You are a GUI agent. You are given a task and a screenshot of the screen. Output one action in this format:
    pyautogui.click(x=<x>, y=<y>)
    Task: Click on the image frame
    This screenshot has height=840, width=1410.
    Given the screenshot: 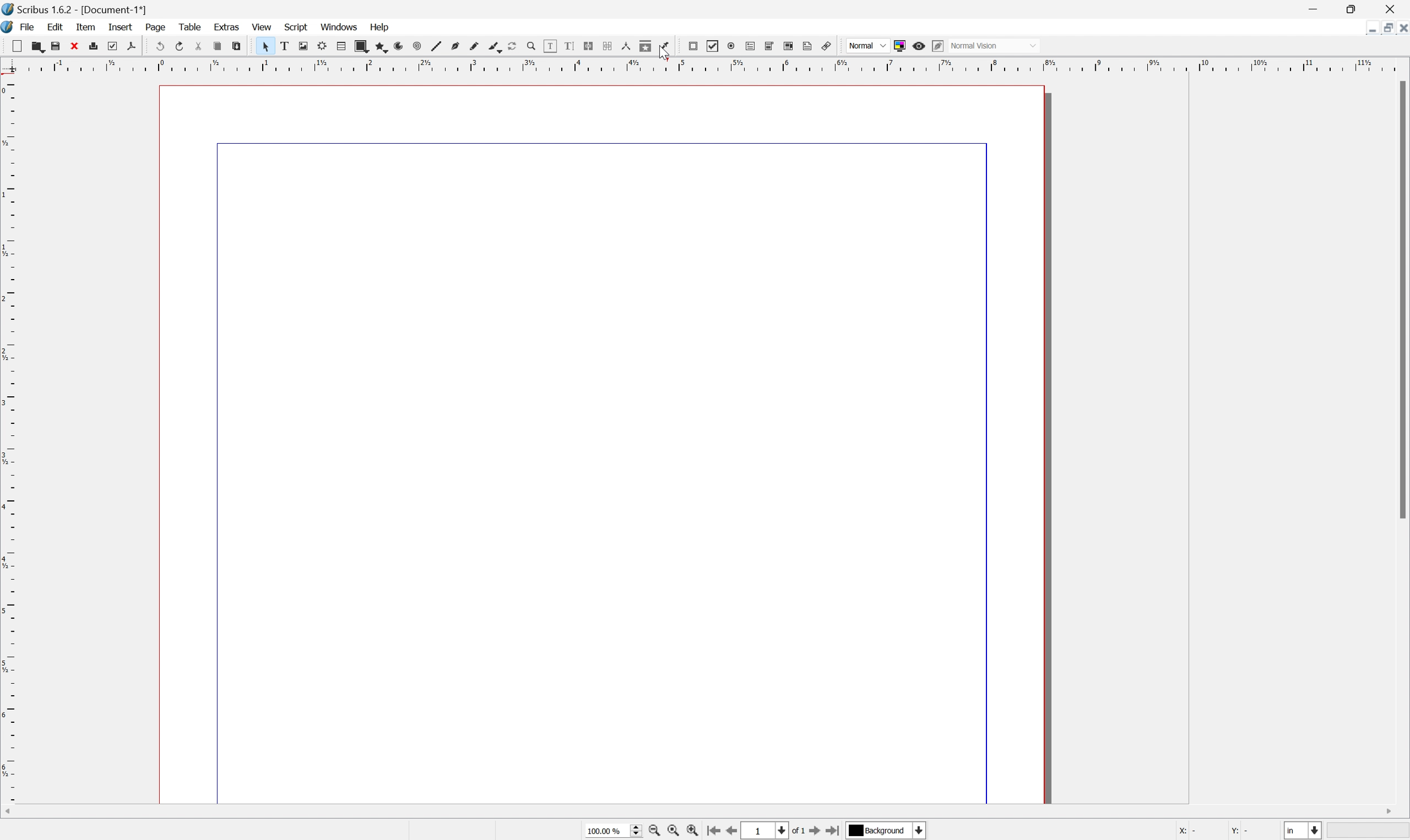 What is the action you would take?
    pyautogui.click(x=304, y=46)
    